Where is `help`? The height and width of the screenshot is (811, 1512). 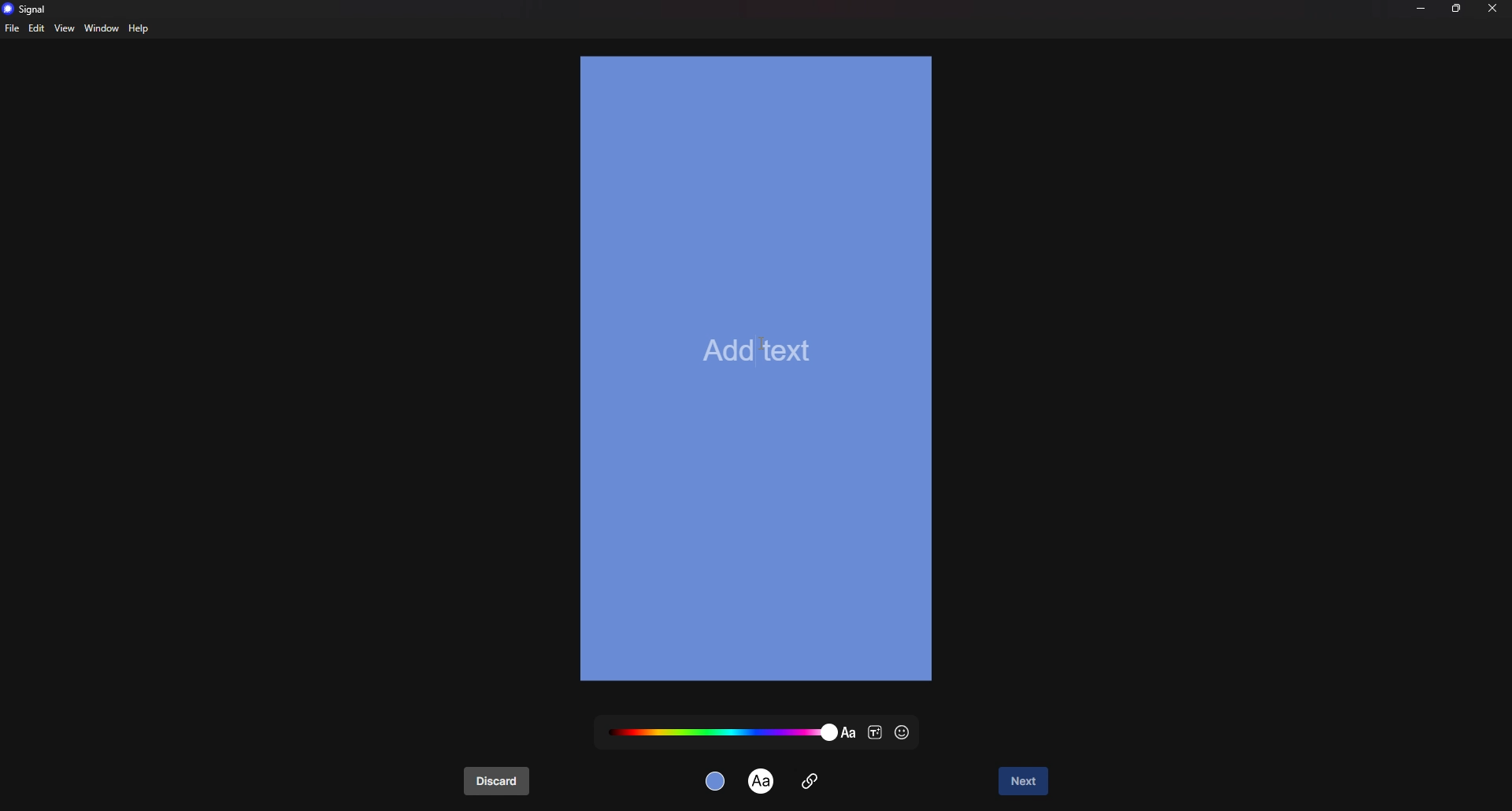
help is located at coordinates (140, 28).